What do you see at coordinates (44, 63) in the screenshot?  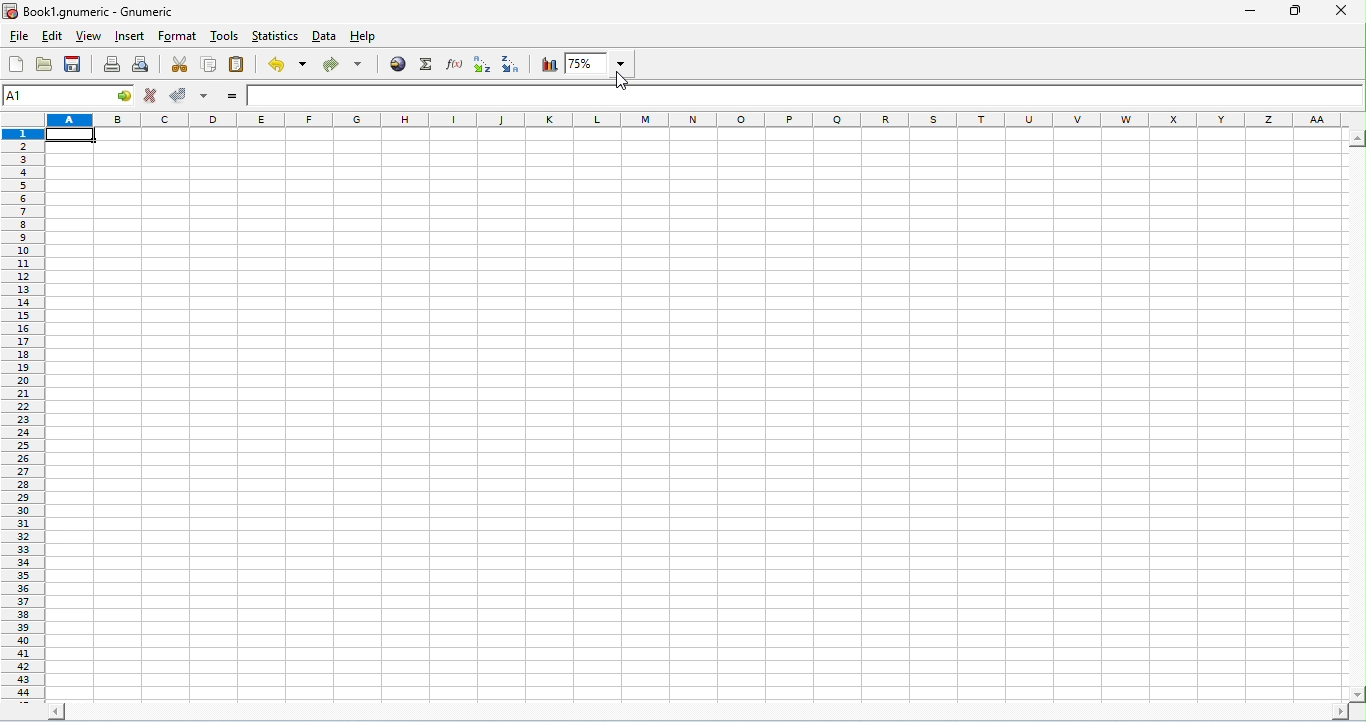 I see `open` at bounding box center [44, 63].